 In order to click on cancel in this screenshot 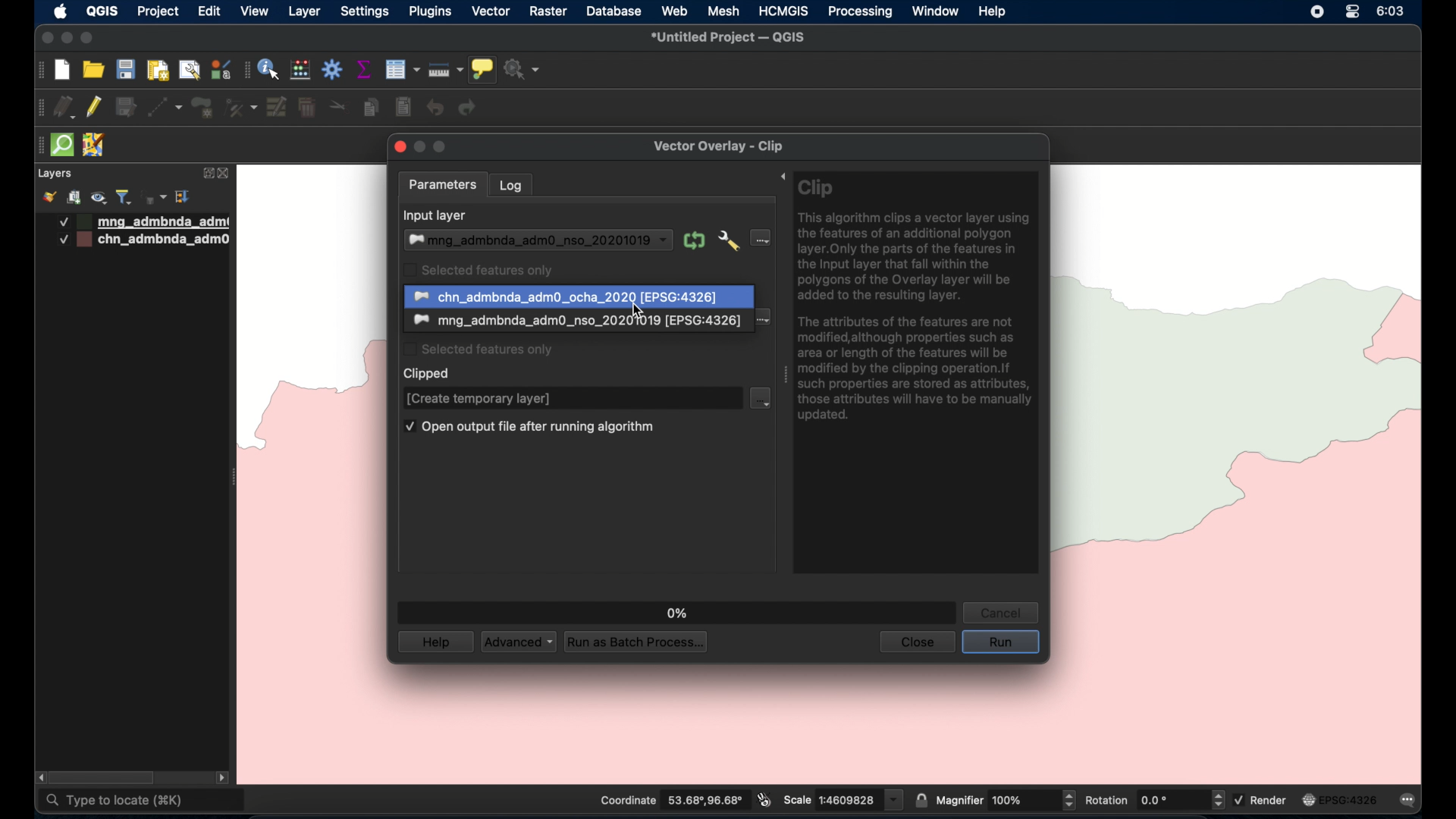, I will do `click(1001, 612)`.